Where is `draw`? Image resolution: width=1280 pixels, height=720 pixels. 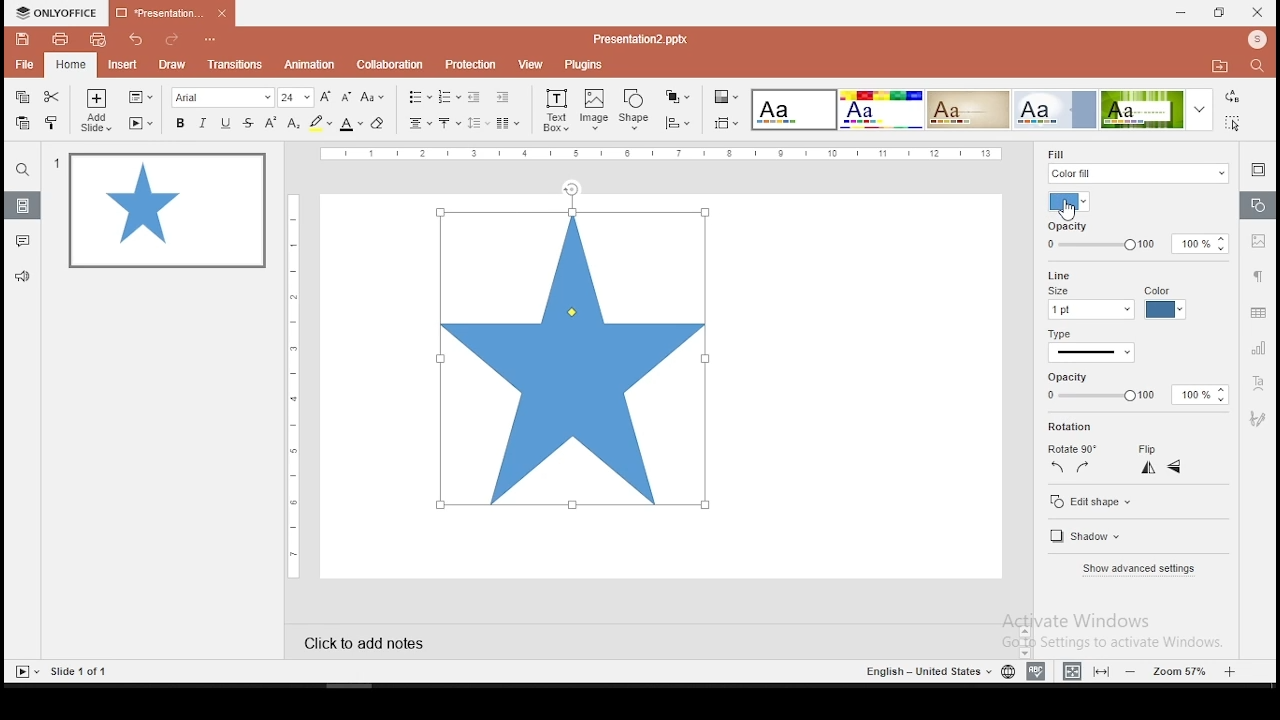
draw is located at coordinates (173, 65).